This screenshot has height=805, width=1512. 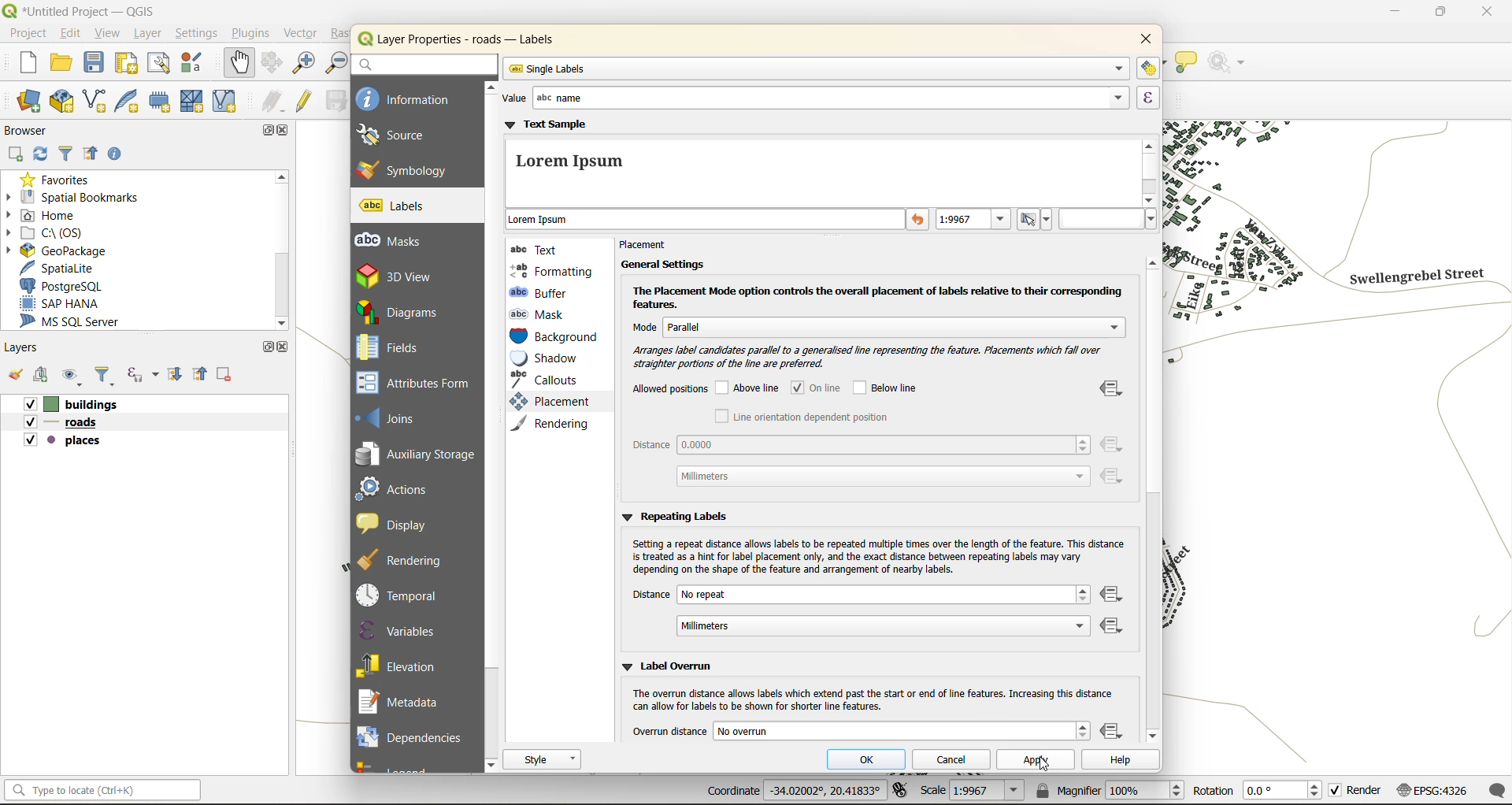 I want to click on plugins, so click(x=251, y=35).